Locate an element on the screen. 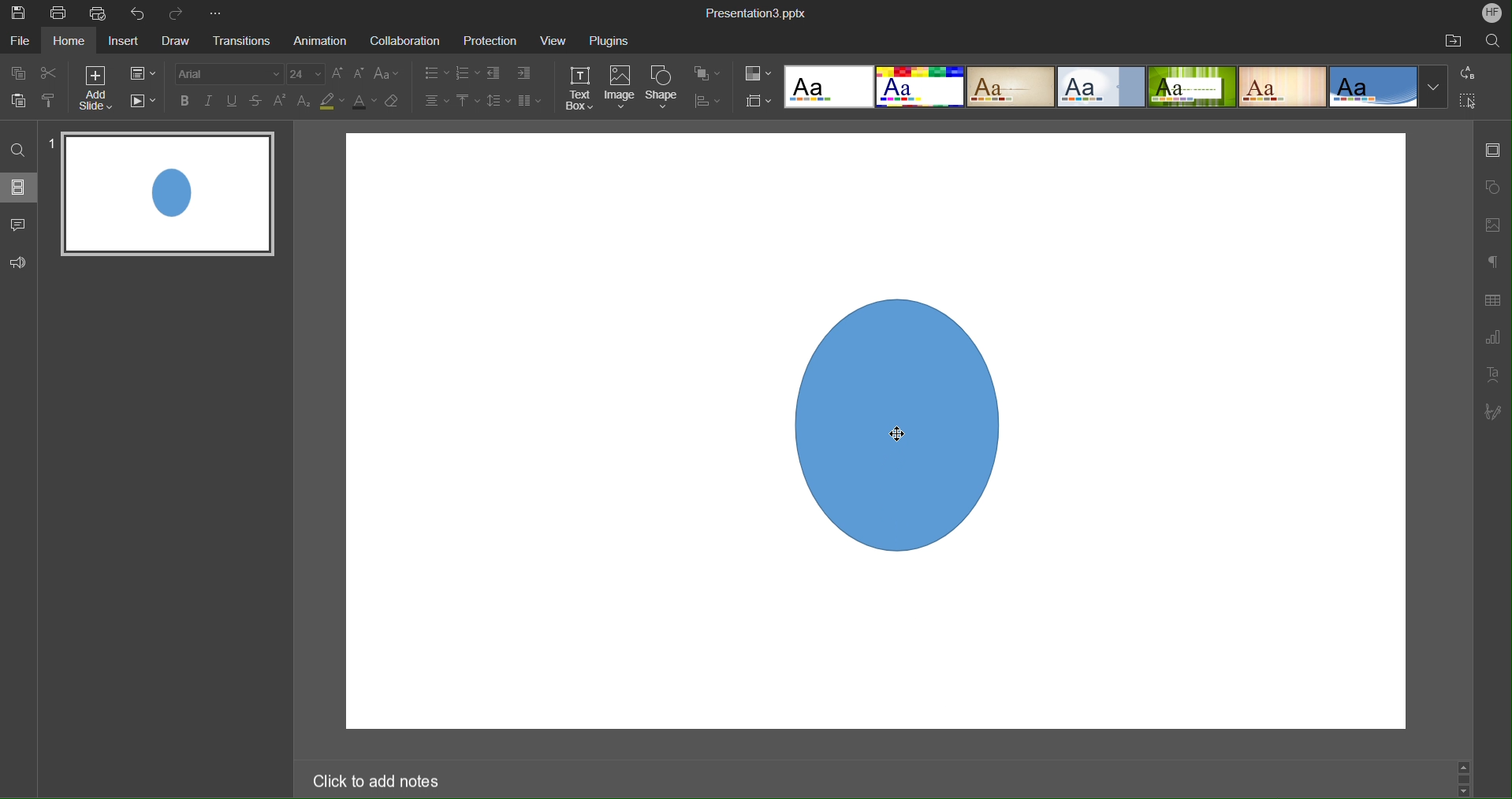  Presentation3.pptx is located at coordinates (754, 13).